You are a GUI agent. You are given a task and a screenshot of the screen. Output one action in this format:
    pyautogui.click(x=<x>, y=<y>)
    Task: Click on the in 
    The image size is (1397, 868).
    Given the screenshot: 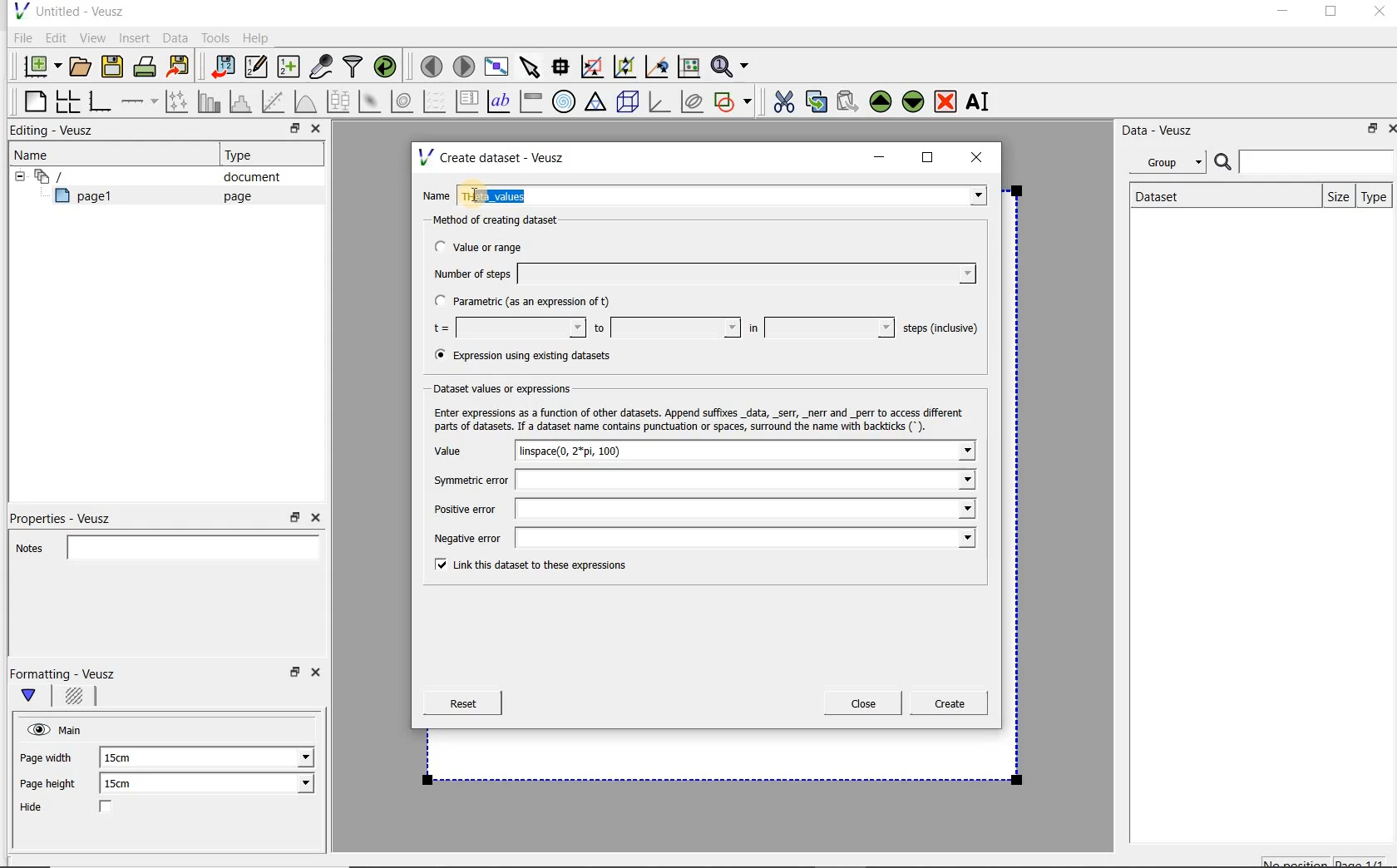 What is the action you would take?
    pyautogui.click(x=819, y=328)
    